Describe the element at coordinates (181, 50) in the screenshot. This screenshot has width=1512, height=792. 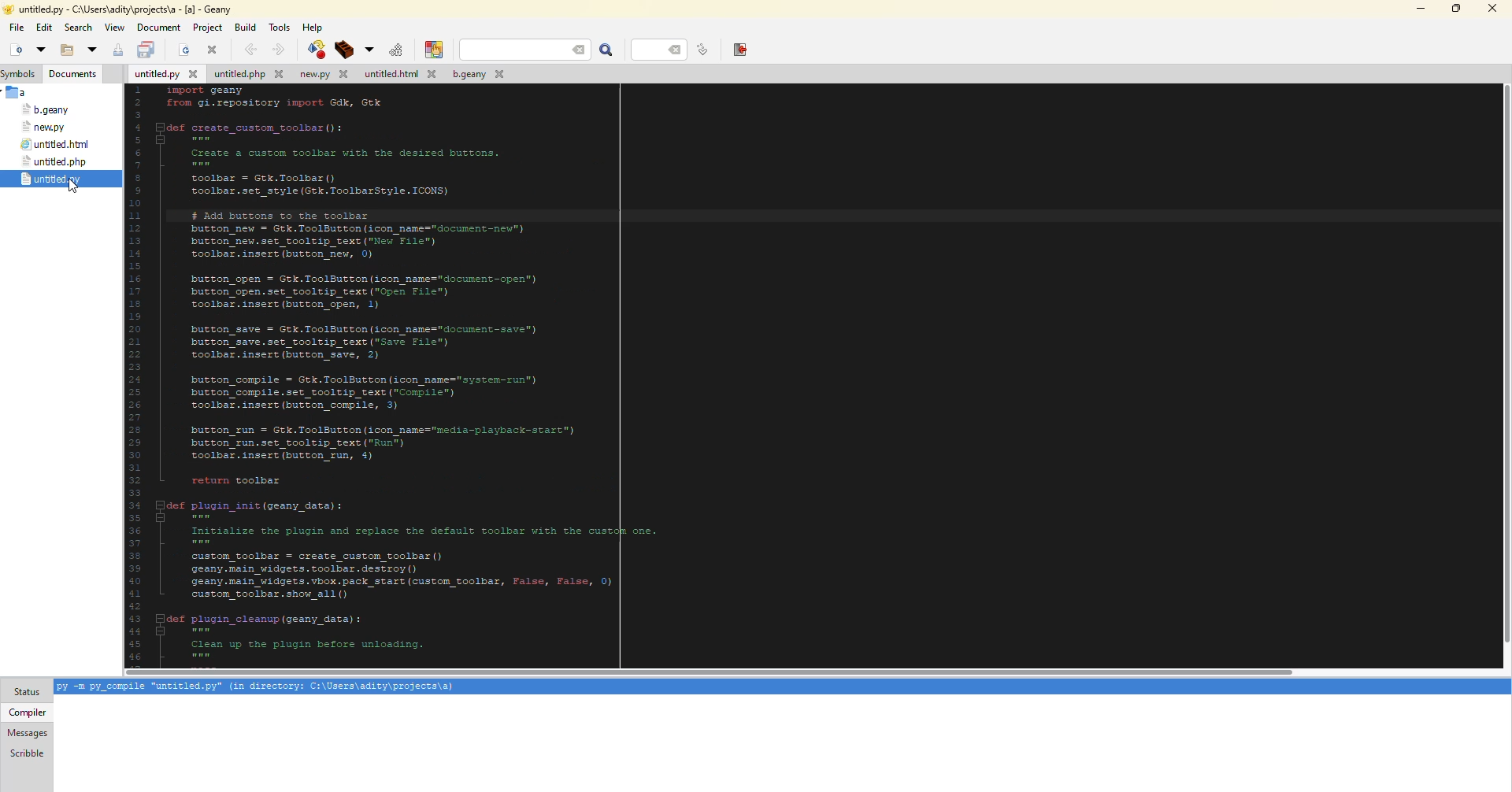
I see `open` at that location.